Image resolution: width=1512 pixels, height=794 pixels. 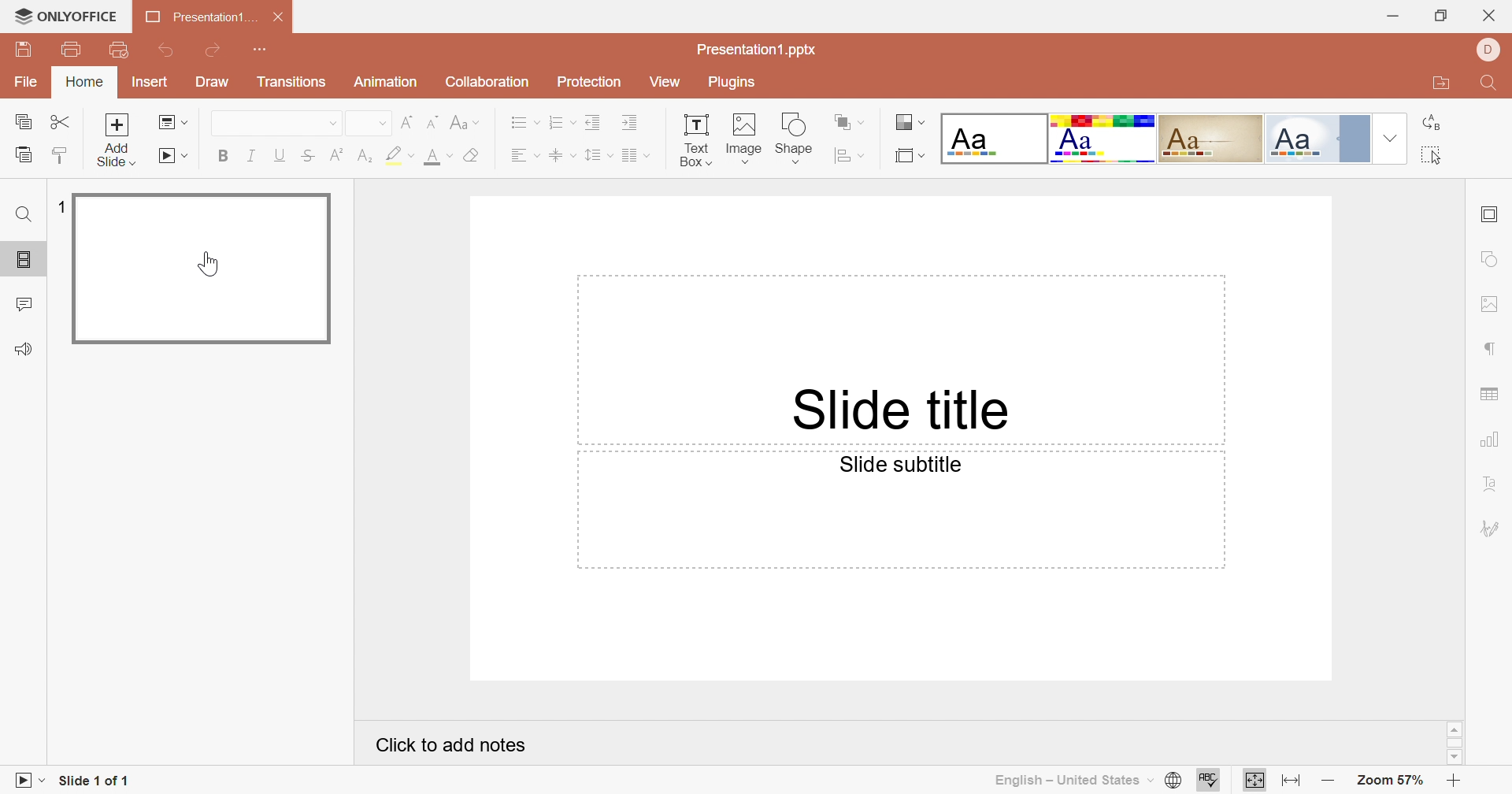 I want to click on Restore down, so click(x=1438, y=14).